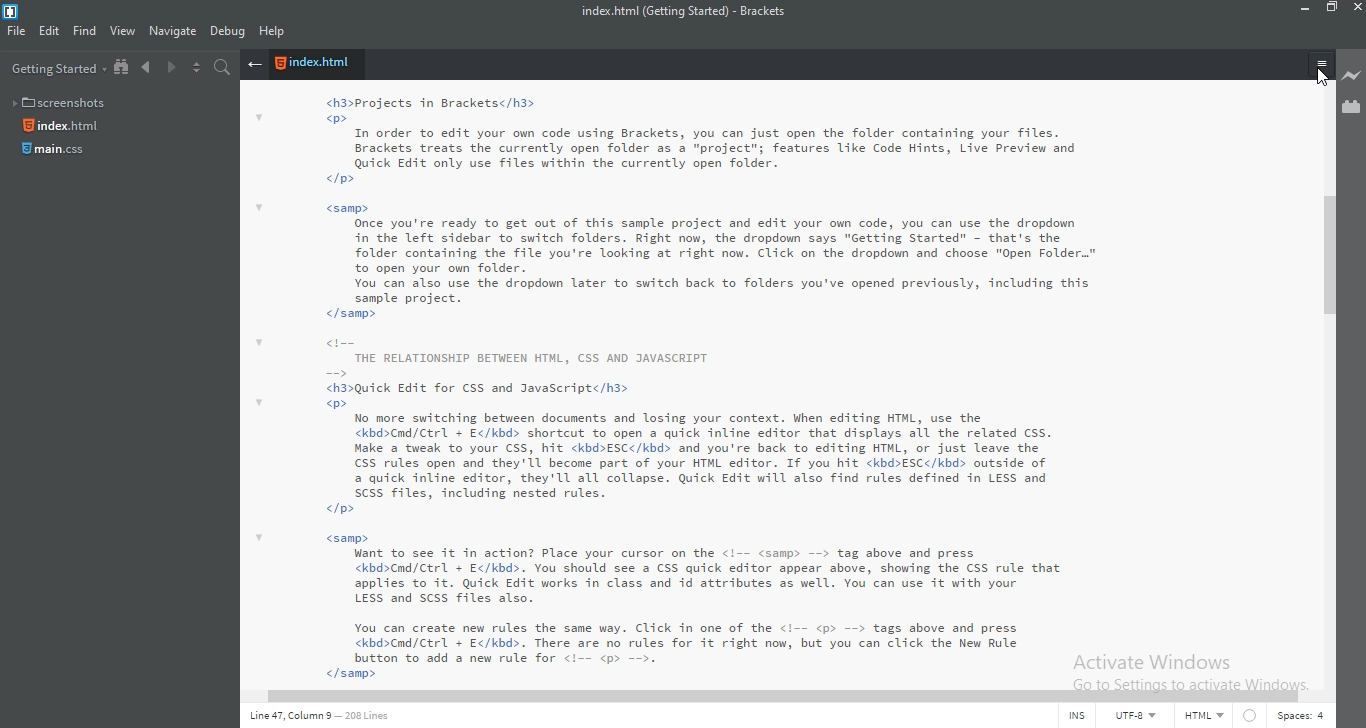 Image resolution: width=1366 pixels, height=728 pixels. Describe the element at coordinates (1080, 717) in the screenshot. I see `INS` at that location.